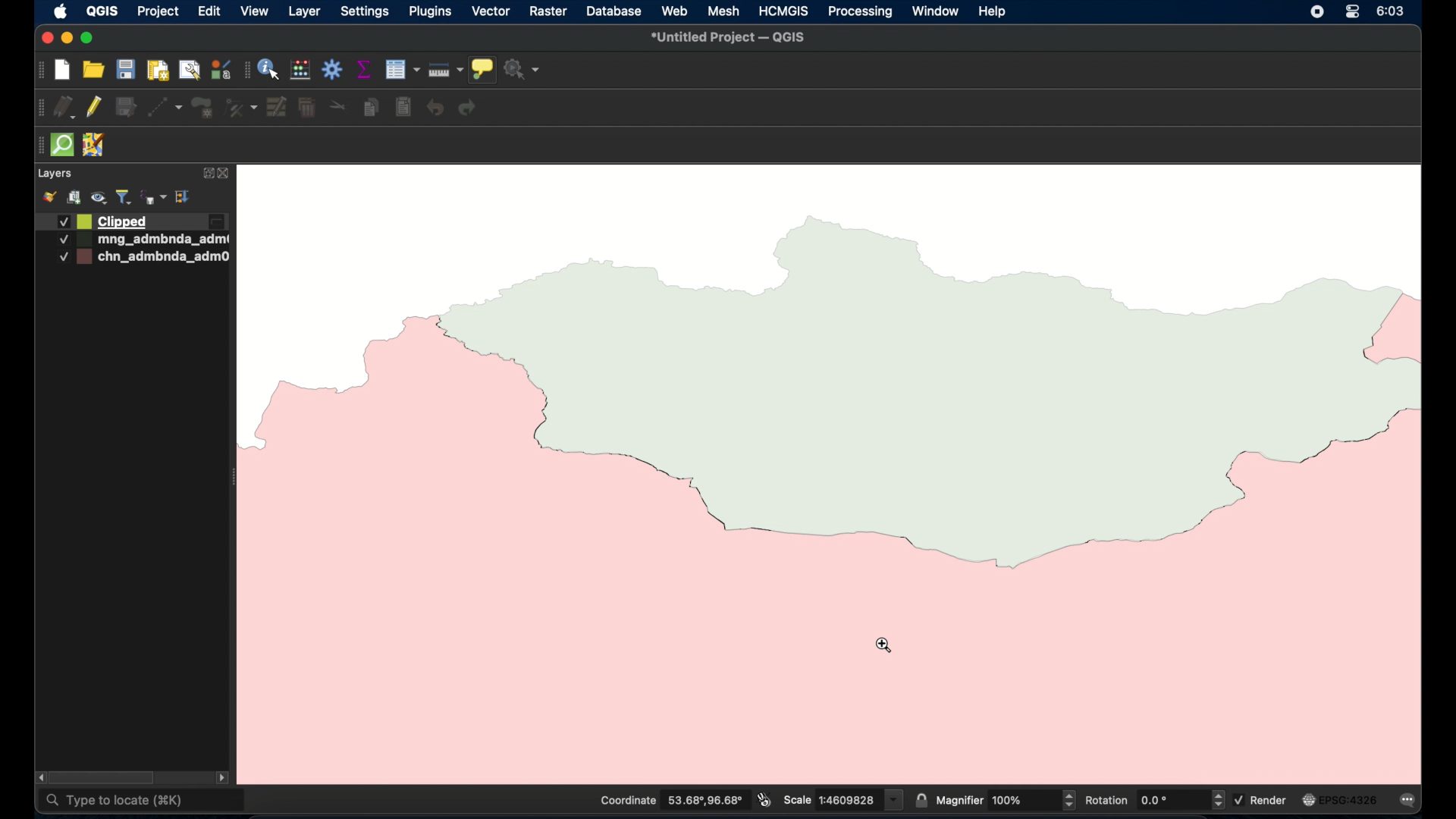 This screenshot has width=1456, height=819. I want to click on apple icon, so click(61, 11).